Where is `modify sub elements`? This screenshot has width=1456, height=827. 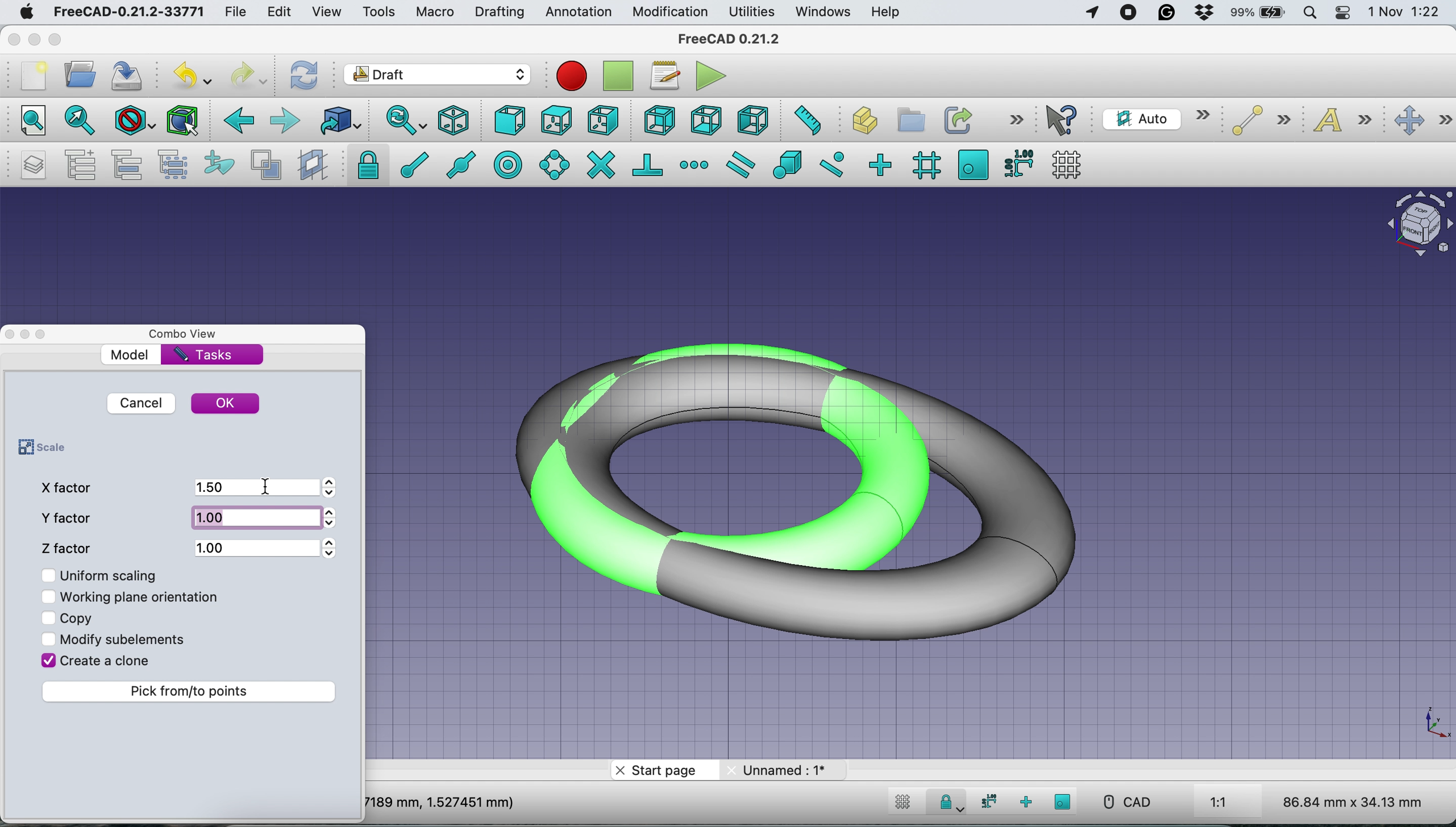
modify sub elements is located at coordinates (131, 637).